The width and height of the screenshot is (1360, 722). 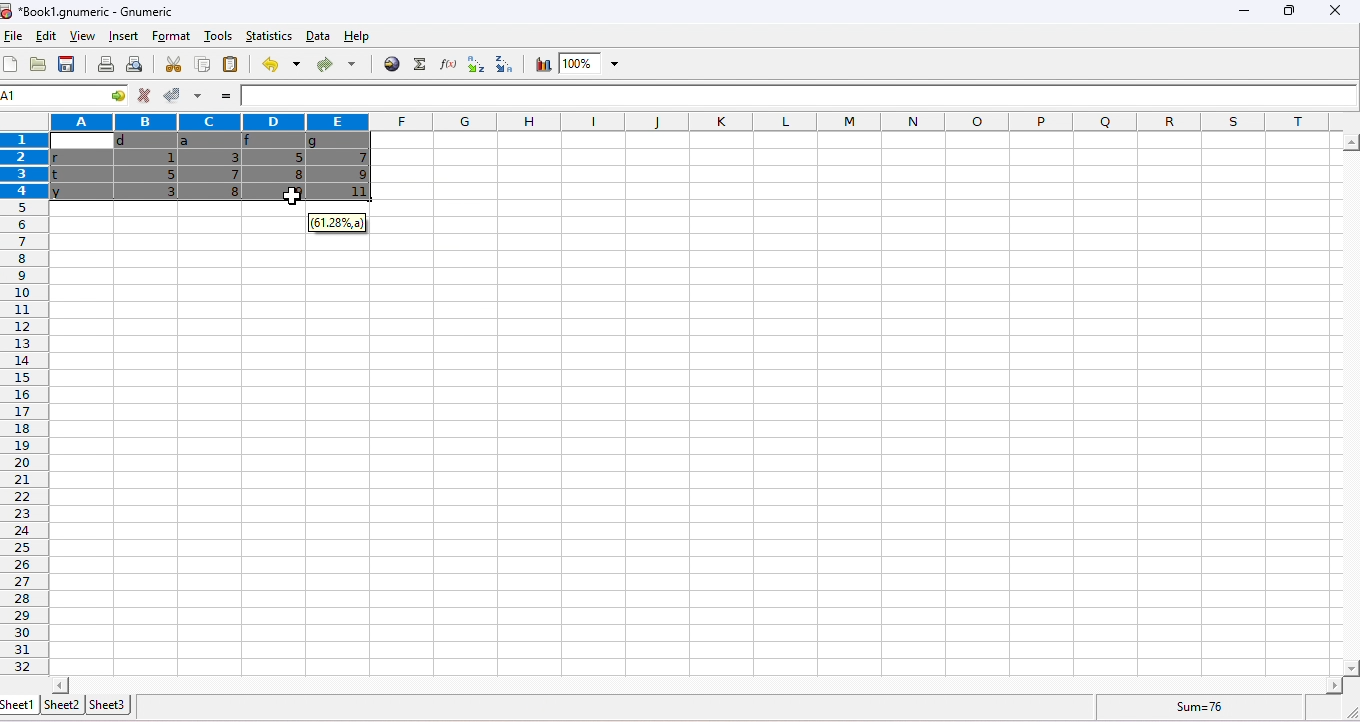 What do you see at coordinates (173, 35) in the screenshot?
I see `format` at bounding box center [173, 35].